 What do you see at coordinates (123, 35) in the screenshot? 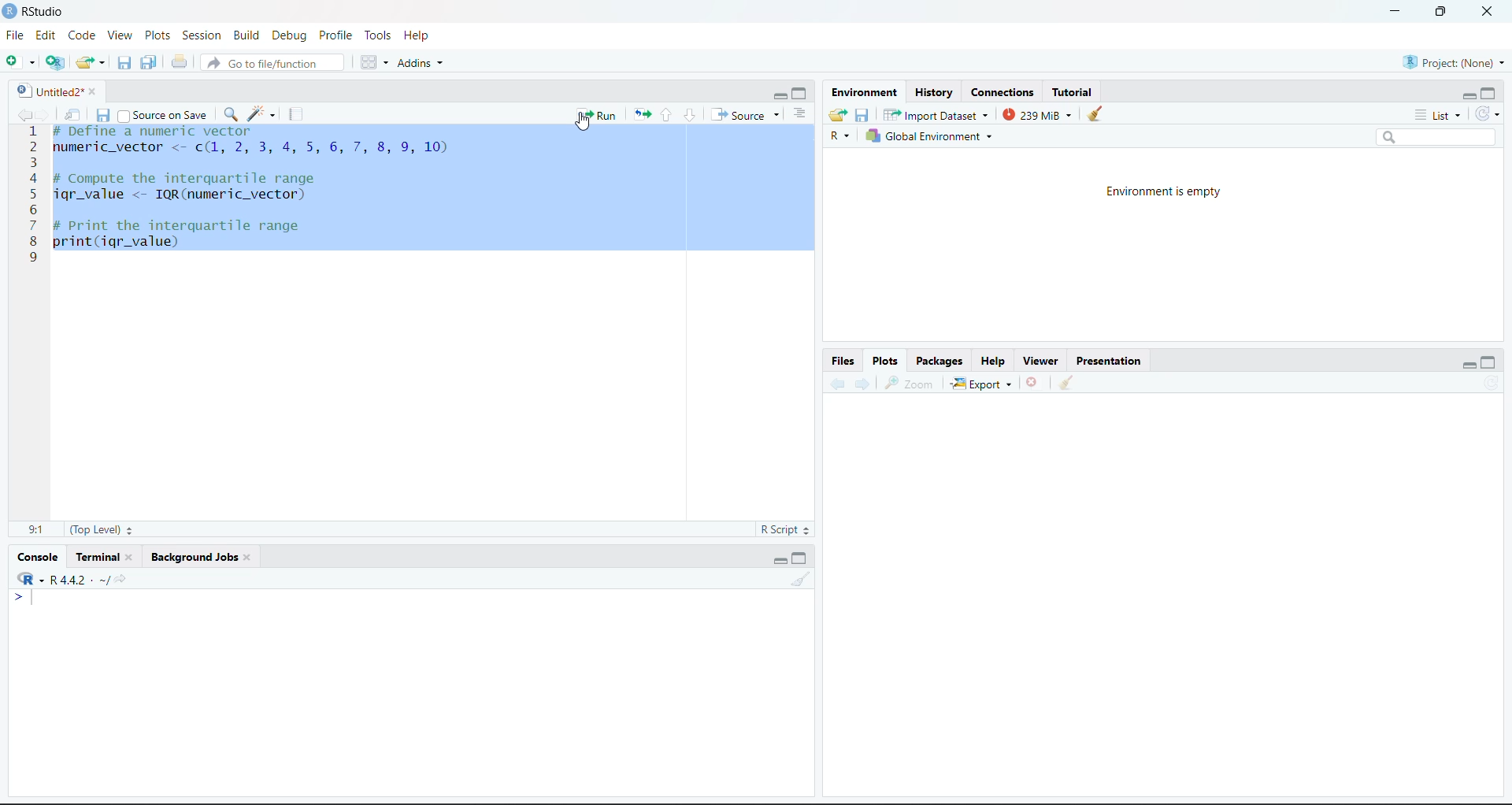
I see `View` at bounding box center [123, 35].